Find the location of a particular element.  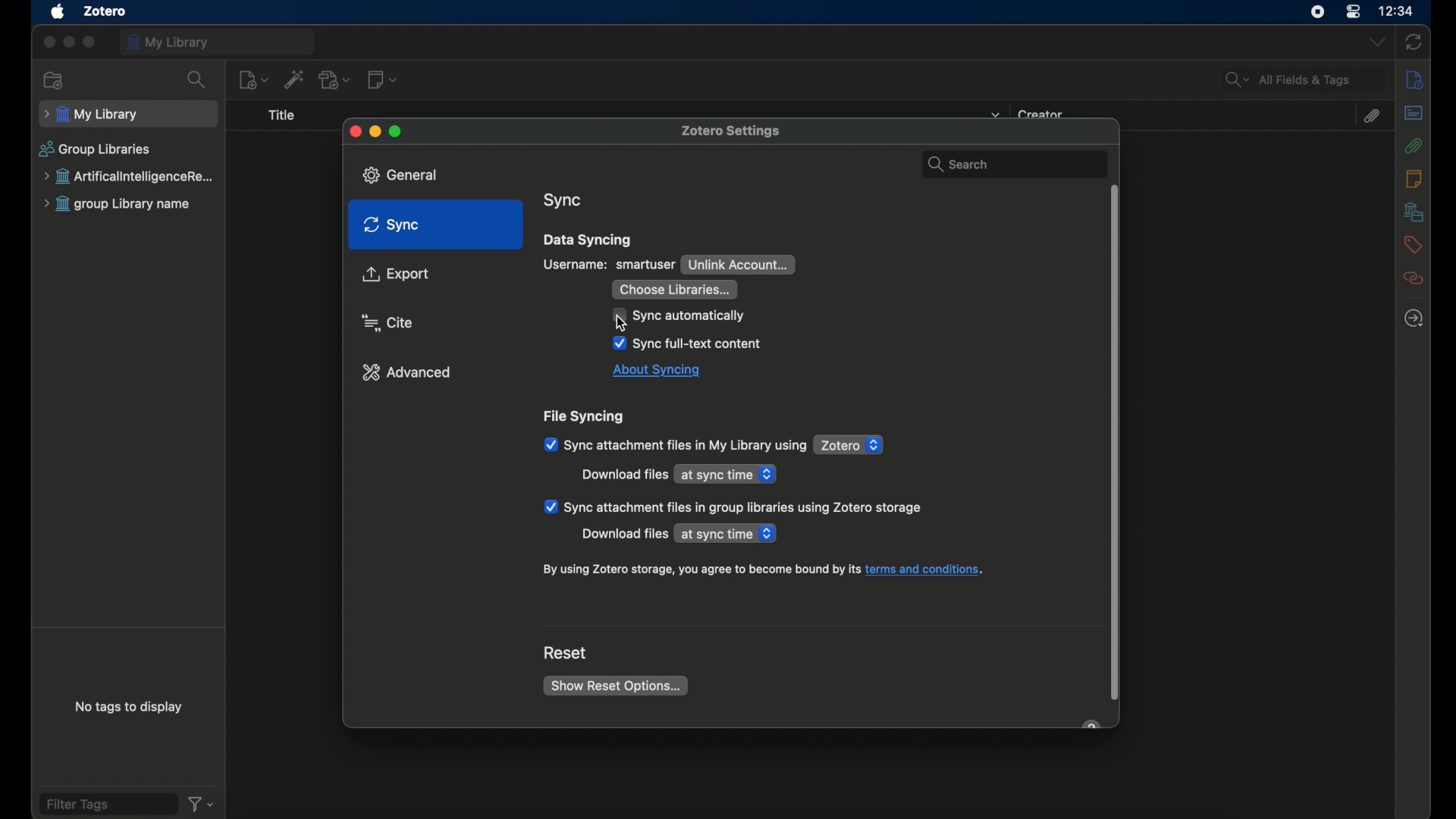

attachments is located at coordinates (1373, 116).